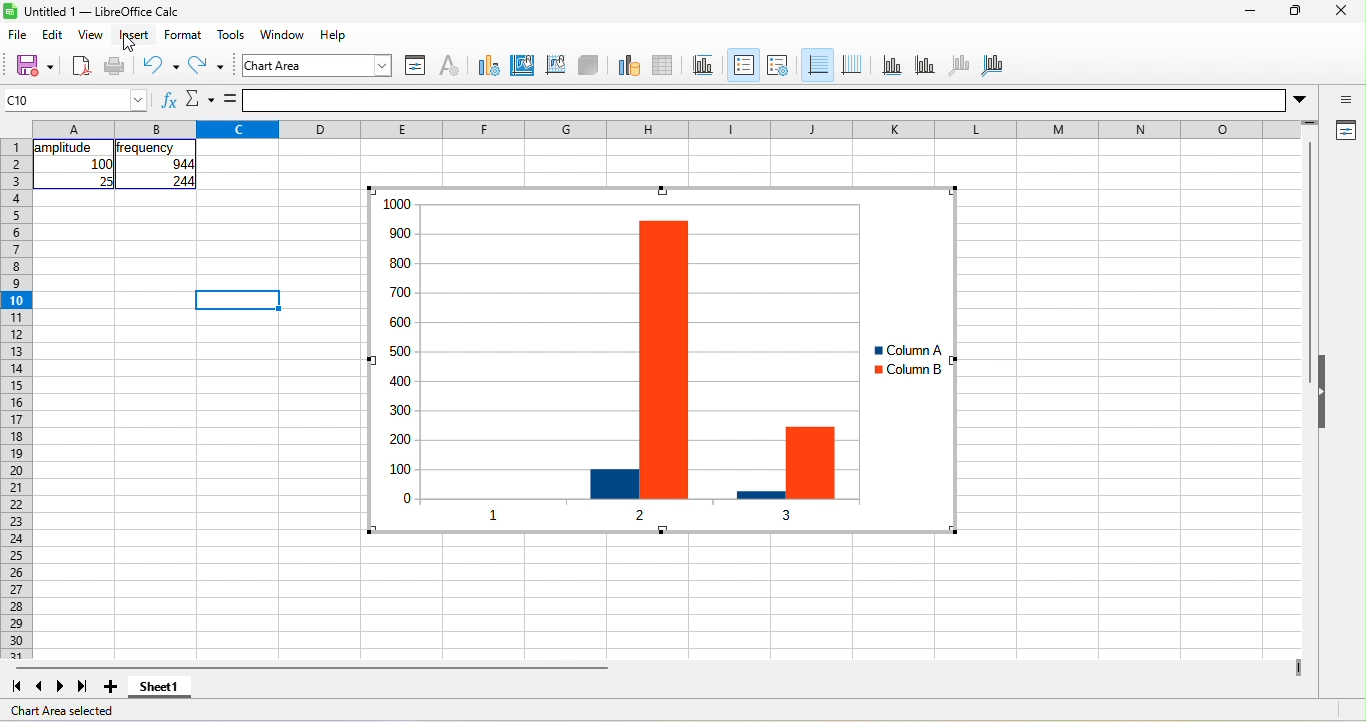 The width and height of the screenshot is (1366, 722). Describe the element at coordinates (64, 686) in the screenshot. I see `next sheet` at that location.